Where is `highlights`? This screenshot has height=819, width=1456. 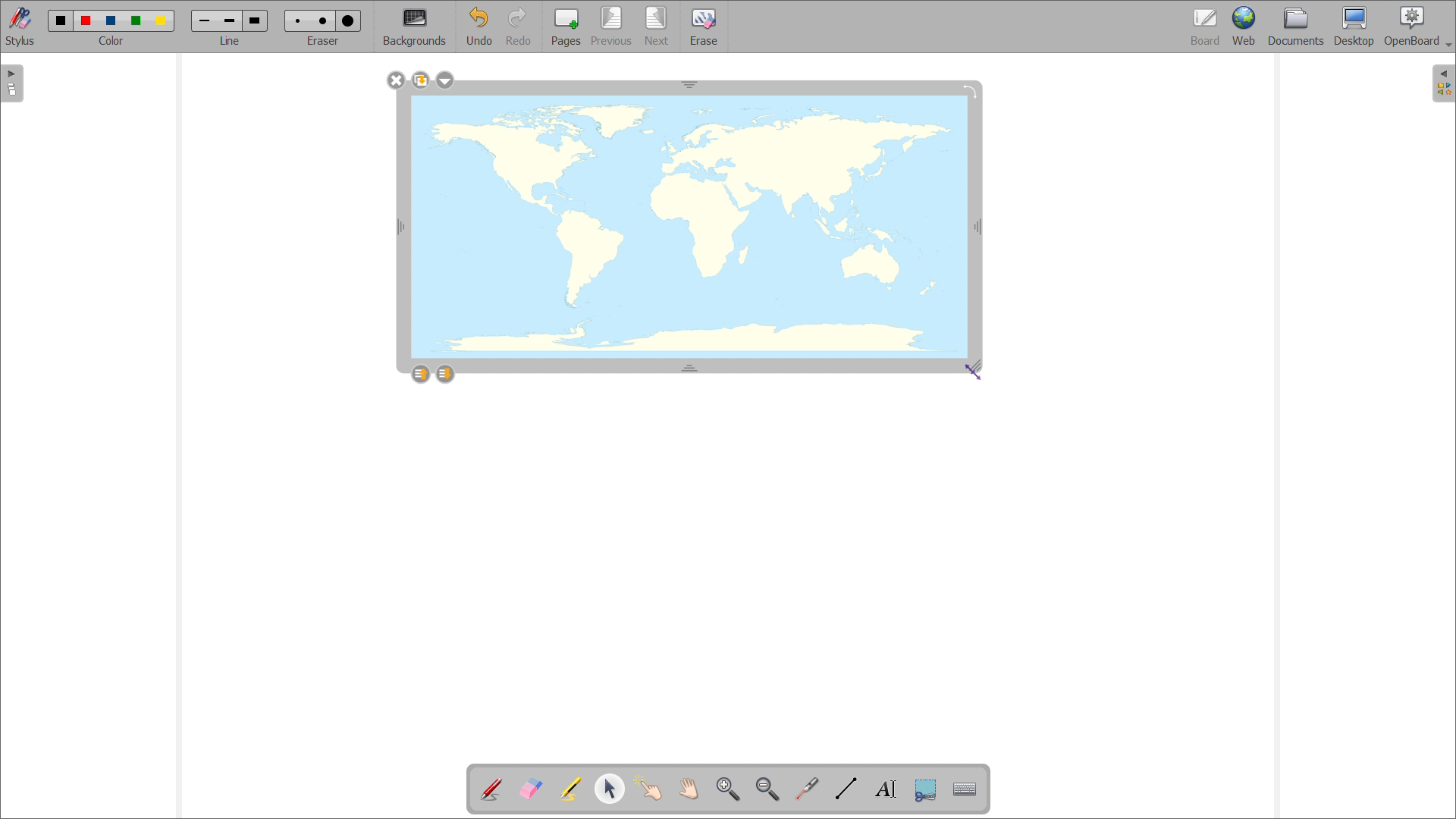 highlights is located at coordinates (570, 790).